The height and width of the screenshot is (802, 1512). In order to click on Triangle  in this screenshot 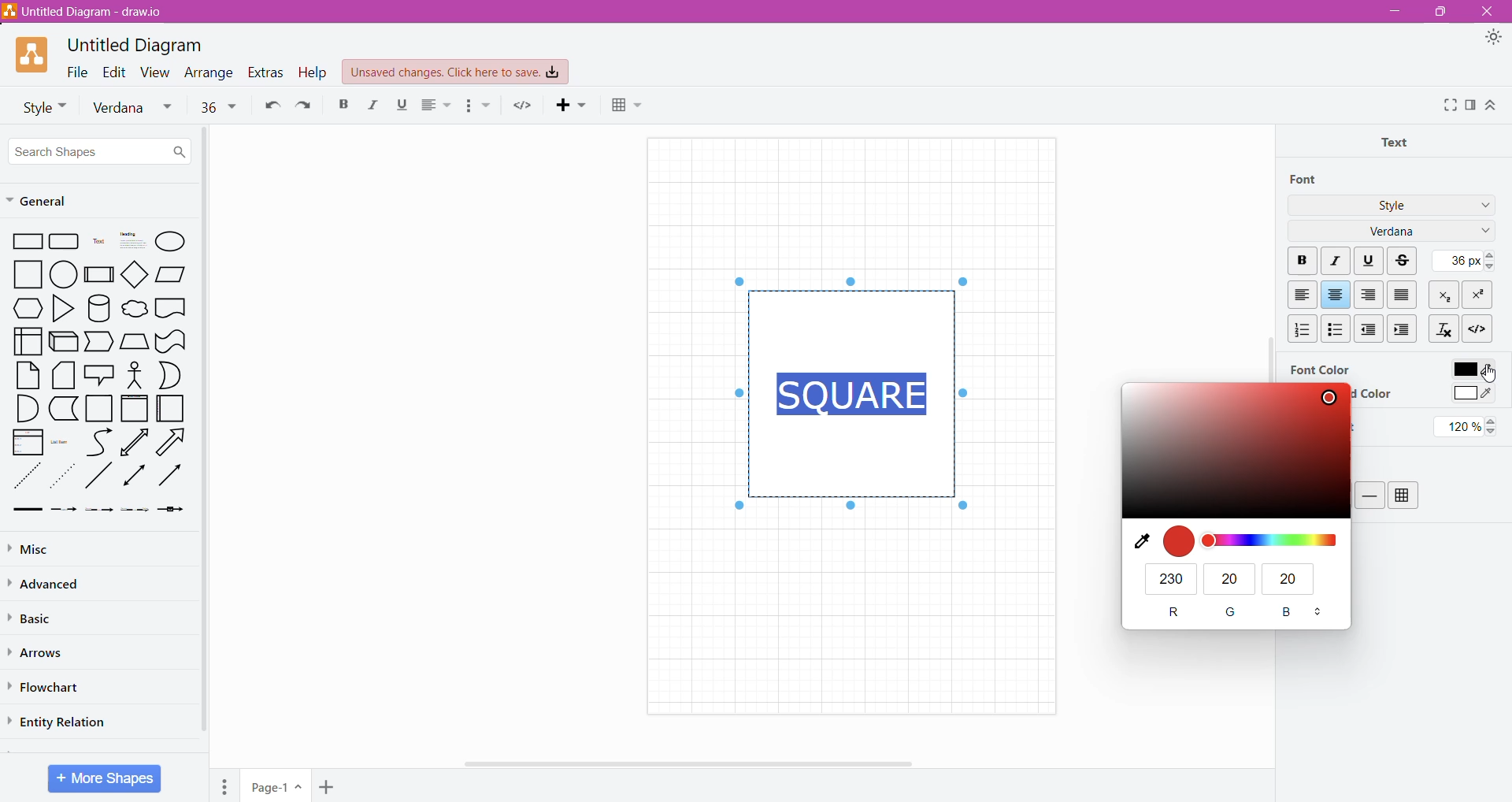, I will do `click(62, 307)`.